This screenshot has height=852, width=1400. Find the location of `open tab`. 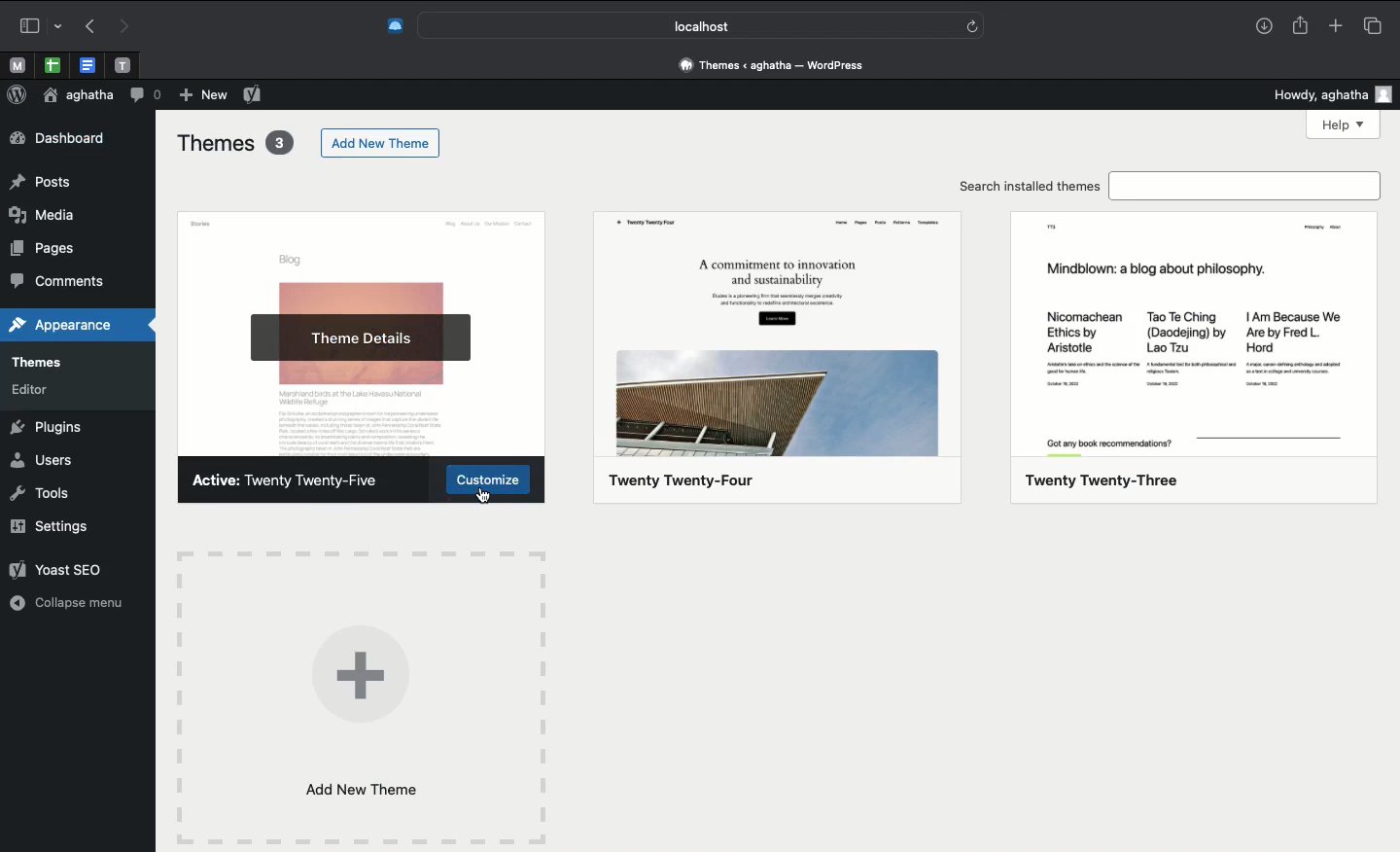

open tab is located at coordinates (122, 66).